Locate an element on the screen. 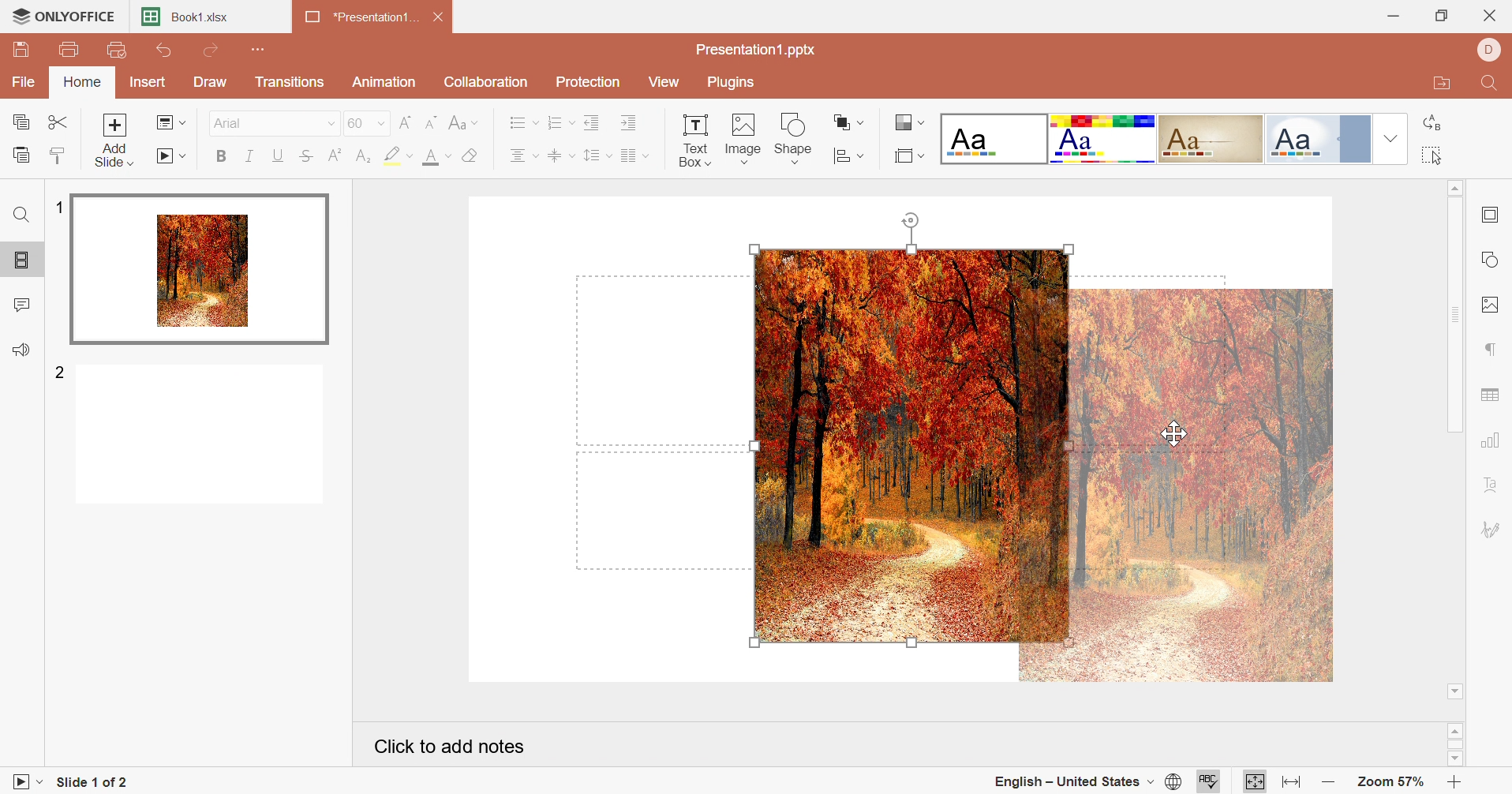 This screenshot has height=794, width=1512. Home is located at coordinates (83, 83).